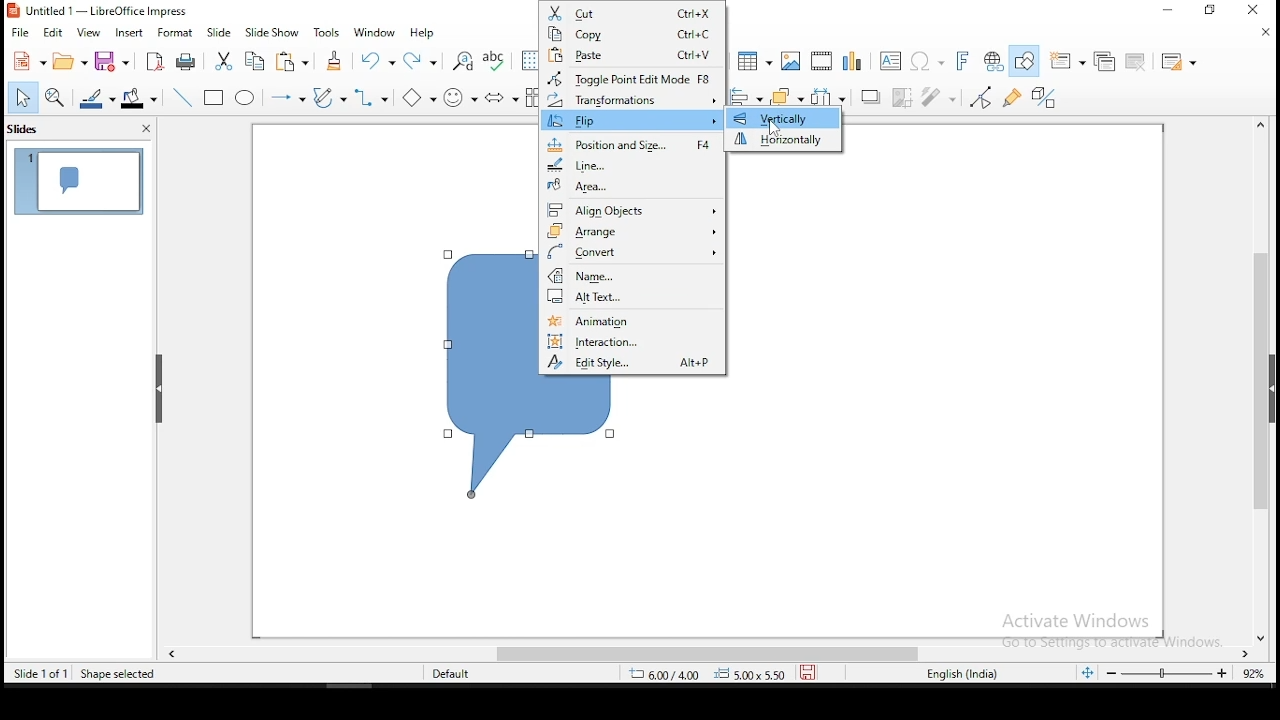  I want to click on insert hyperlink, so click(994, 64).